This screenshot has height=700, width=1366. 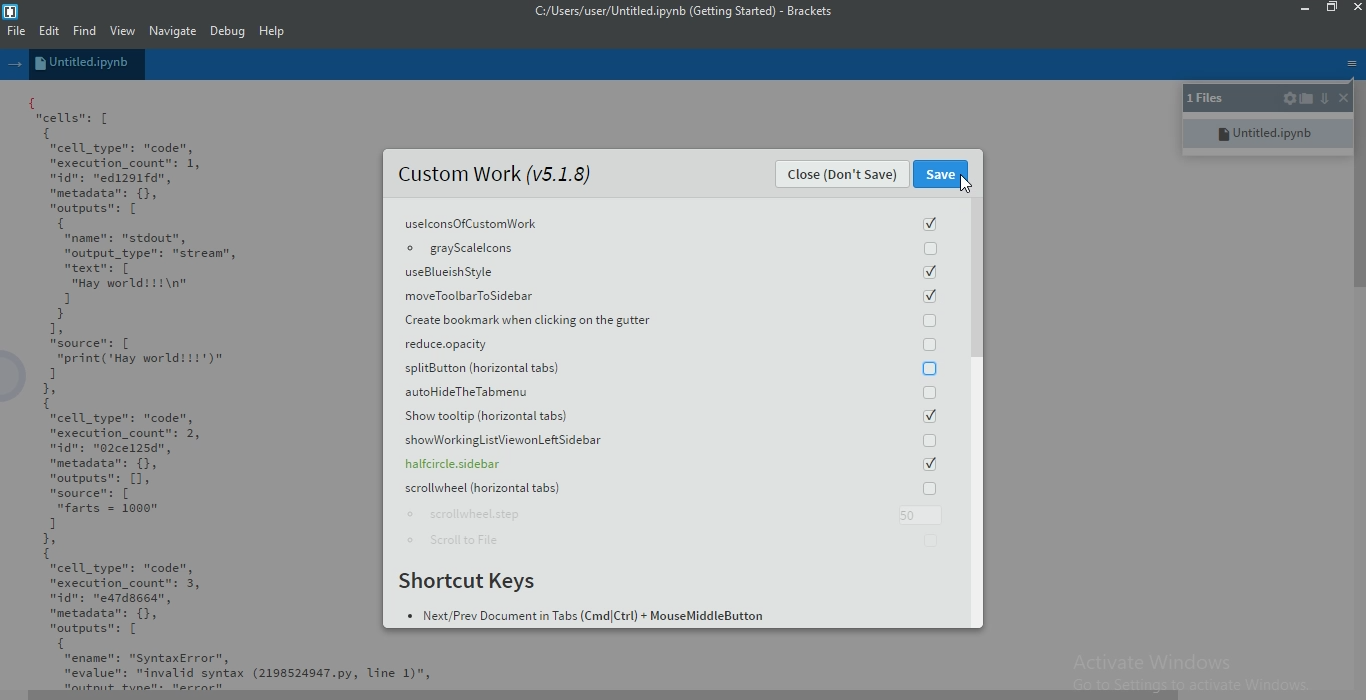 What do you see at coordinates (965, 183) in the screenshot?
I see `cursor` at bounding box center [965, 183].